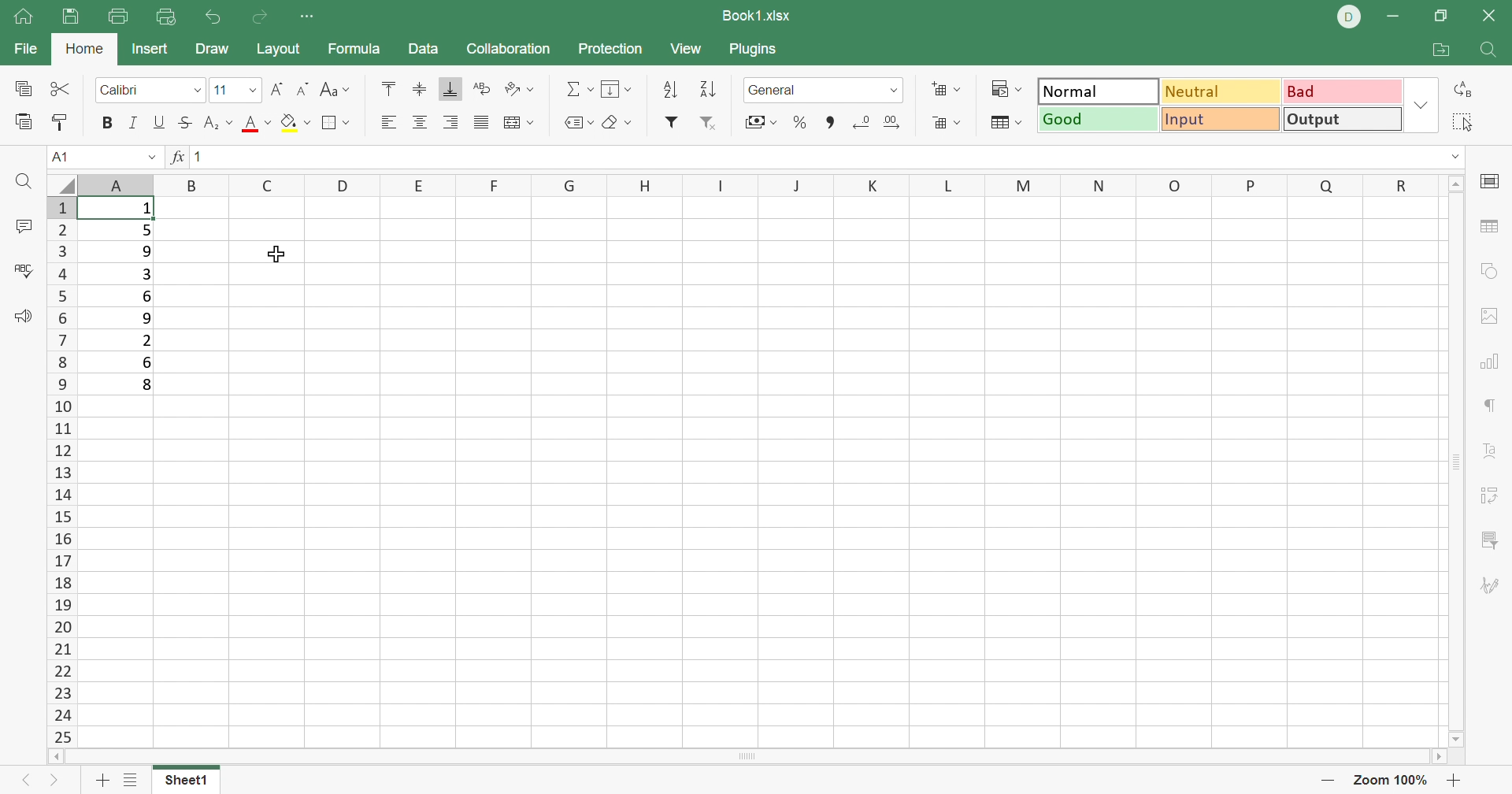 This screenshot has width=1512, height=794. I want to click on File, so click(22, 50).